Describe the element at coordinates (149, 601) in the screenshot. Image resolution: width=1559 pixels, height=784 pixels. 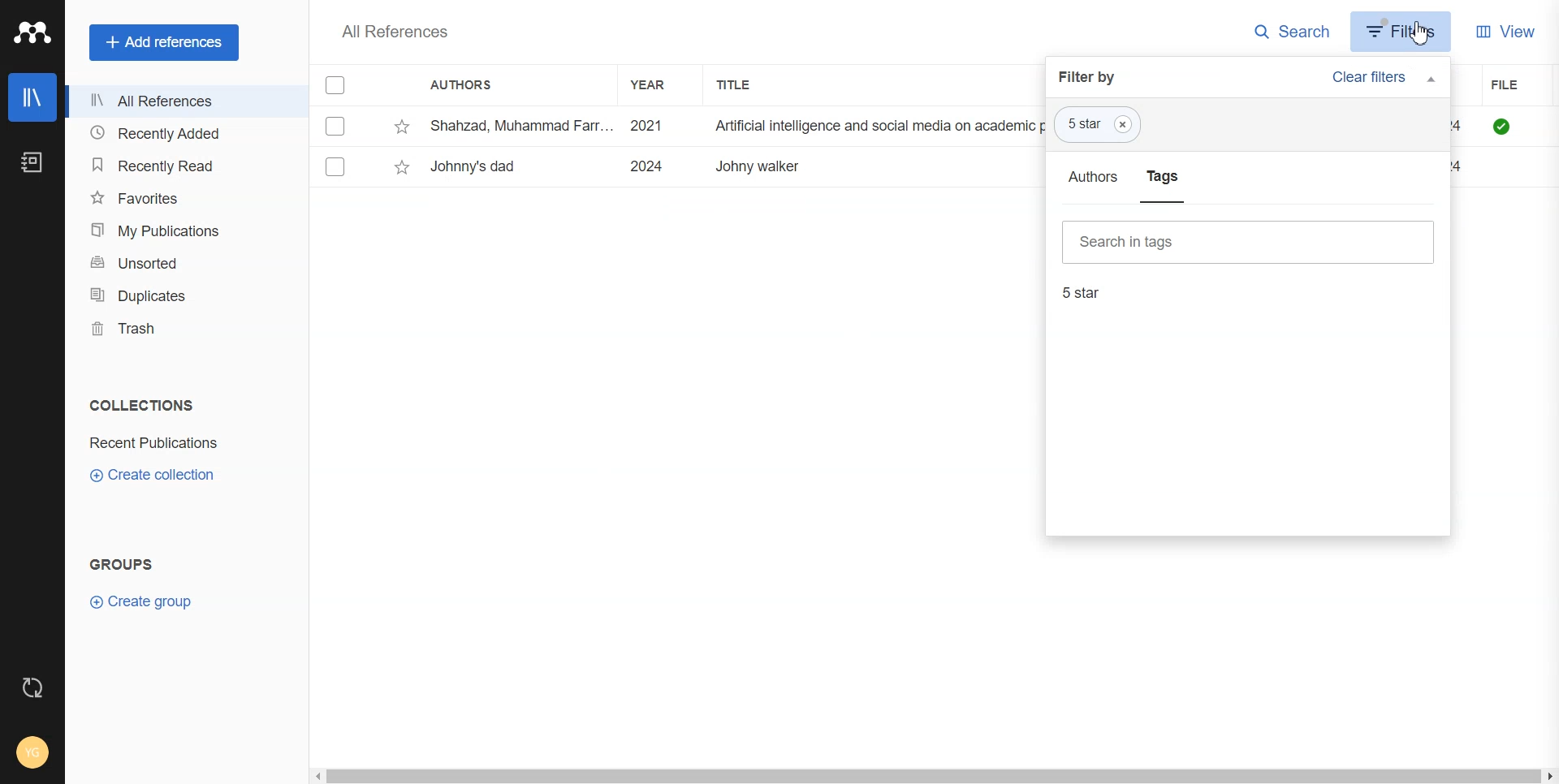
I see `Create Group` at that location.